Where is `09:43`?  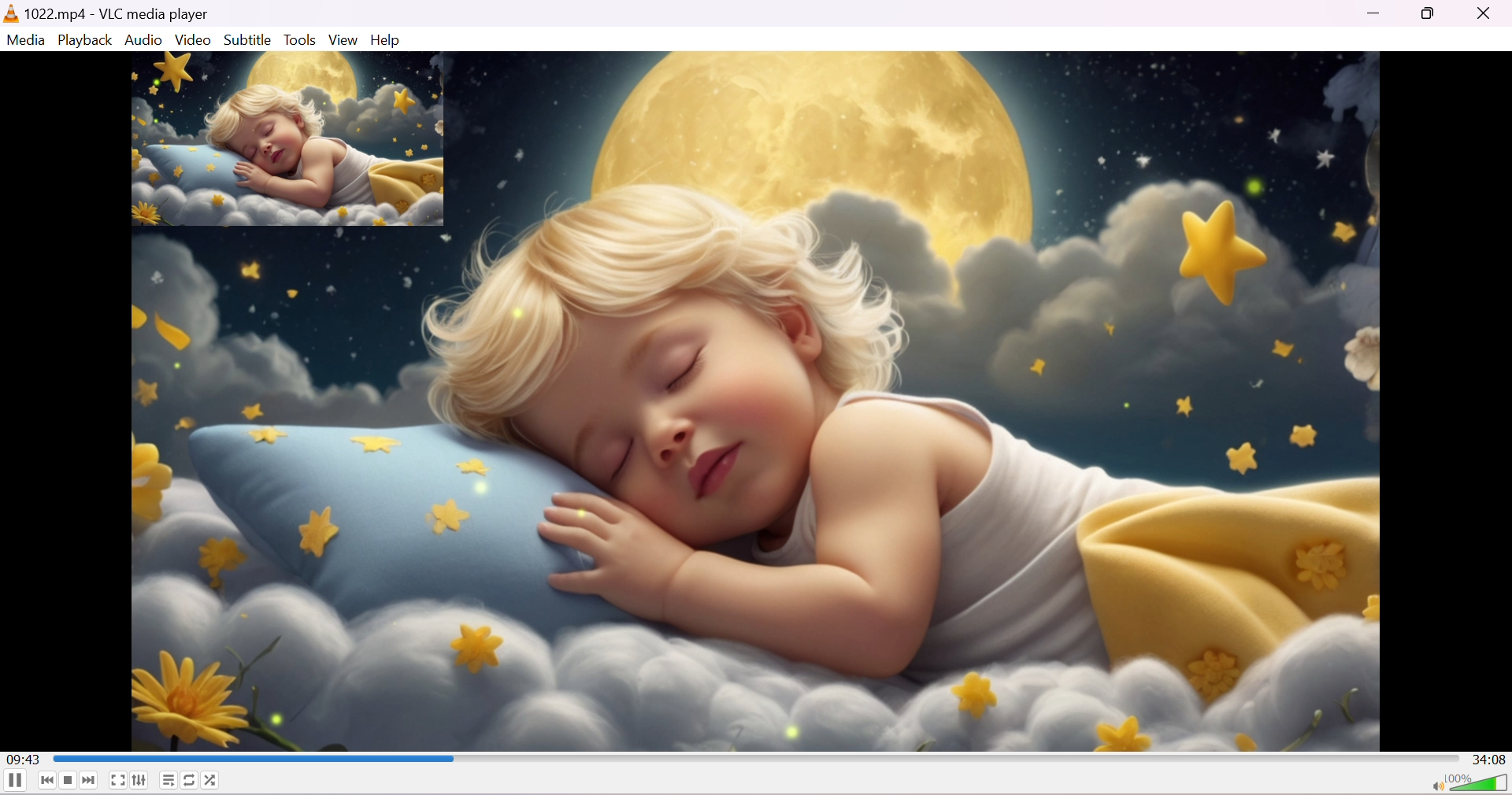 09:43 is located at coordinates (28, 758).